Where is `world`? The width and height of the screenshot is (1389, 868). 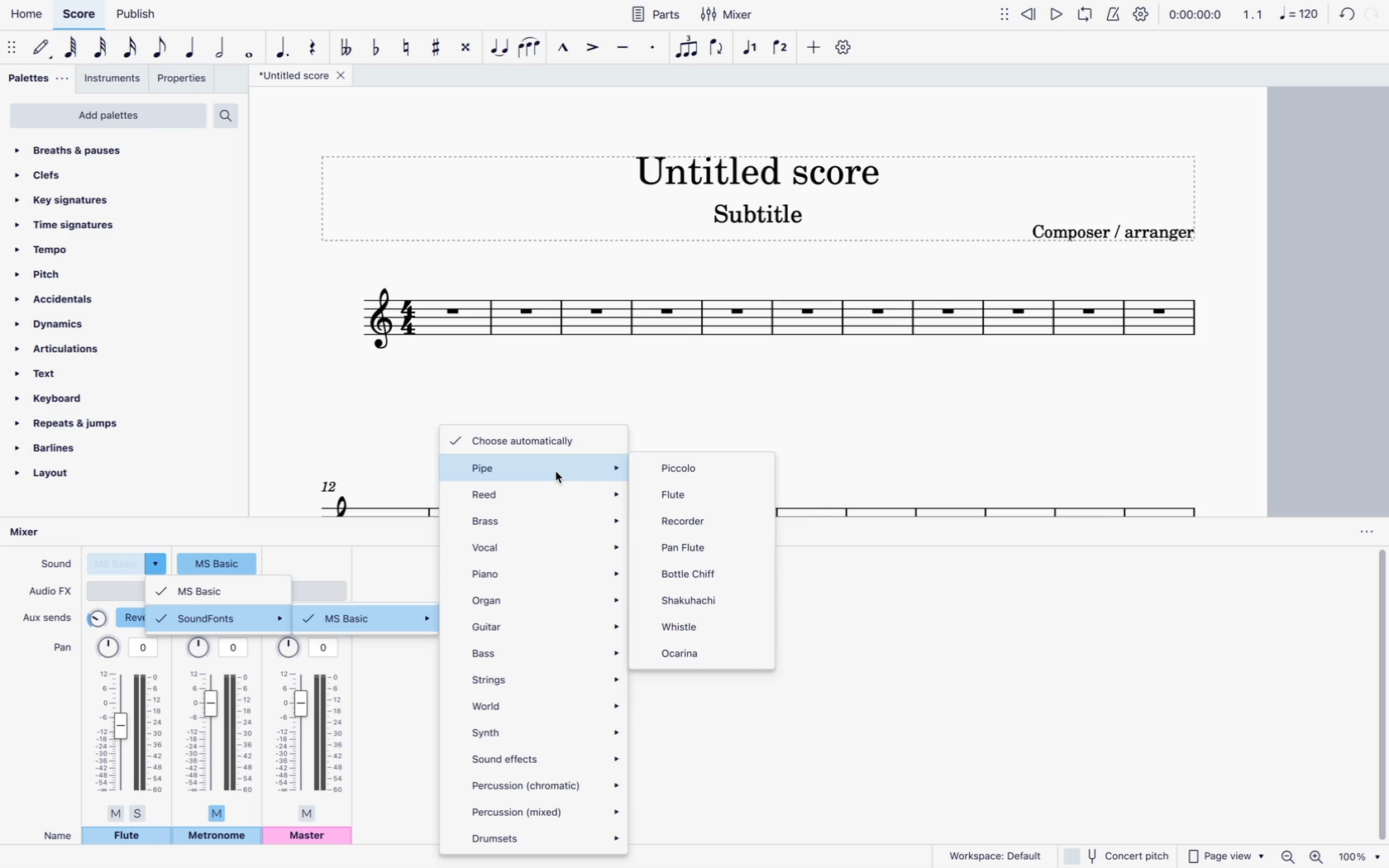 world is located at coordinates (544, 703).